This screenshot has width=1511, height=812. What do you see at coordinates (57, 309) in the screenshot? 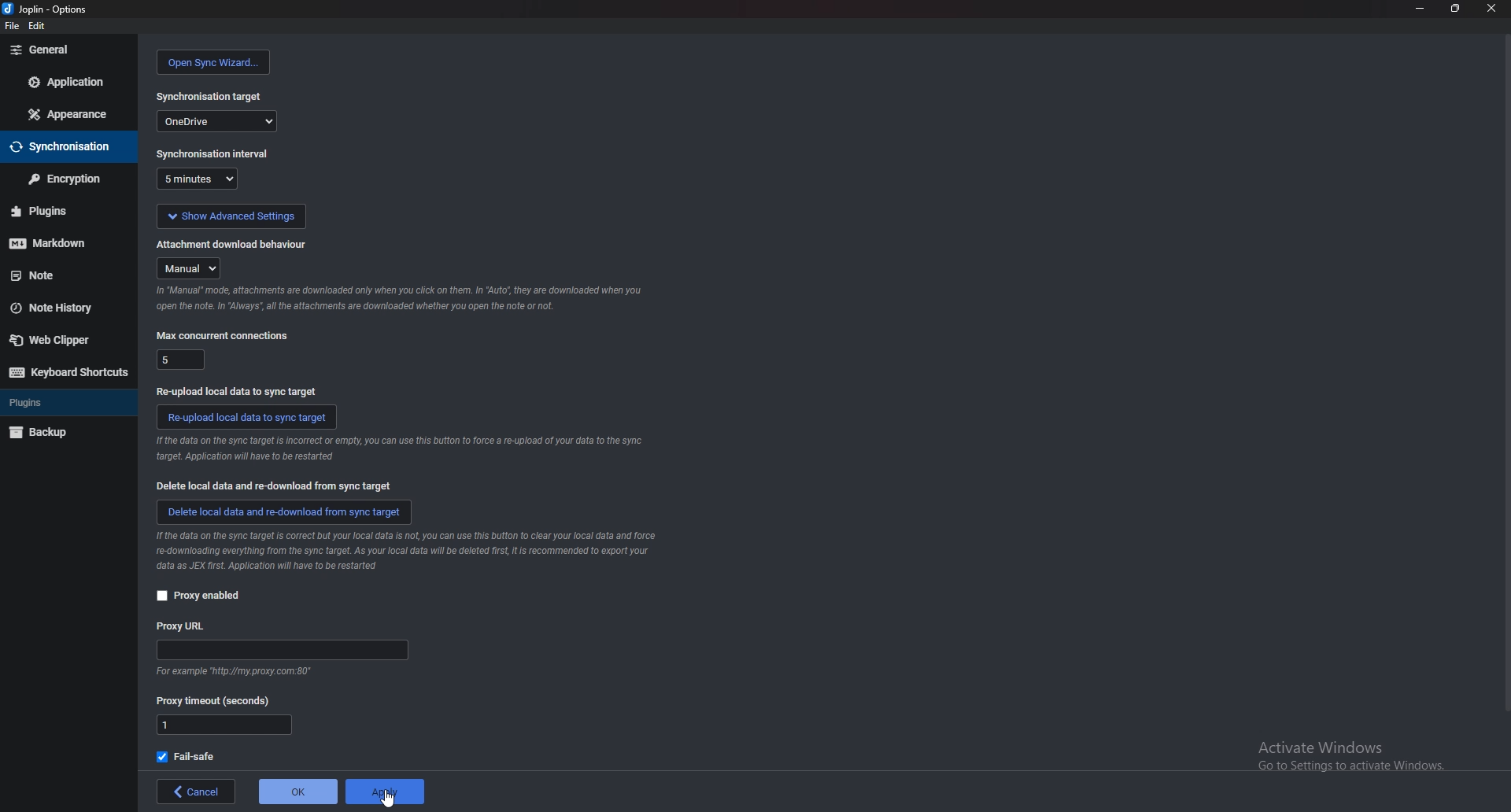
I see `note history` at bounding box center [57, 309].